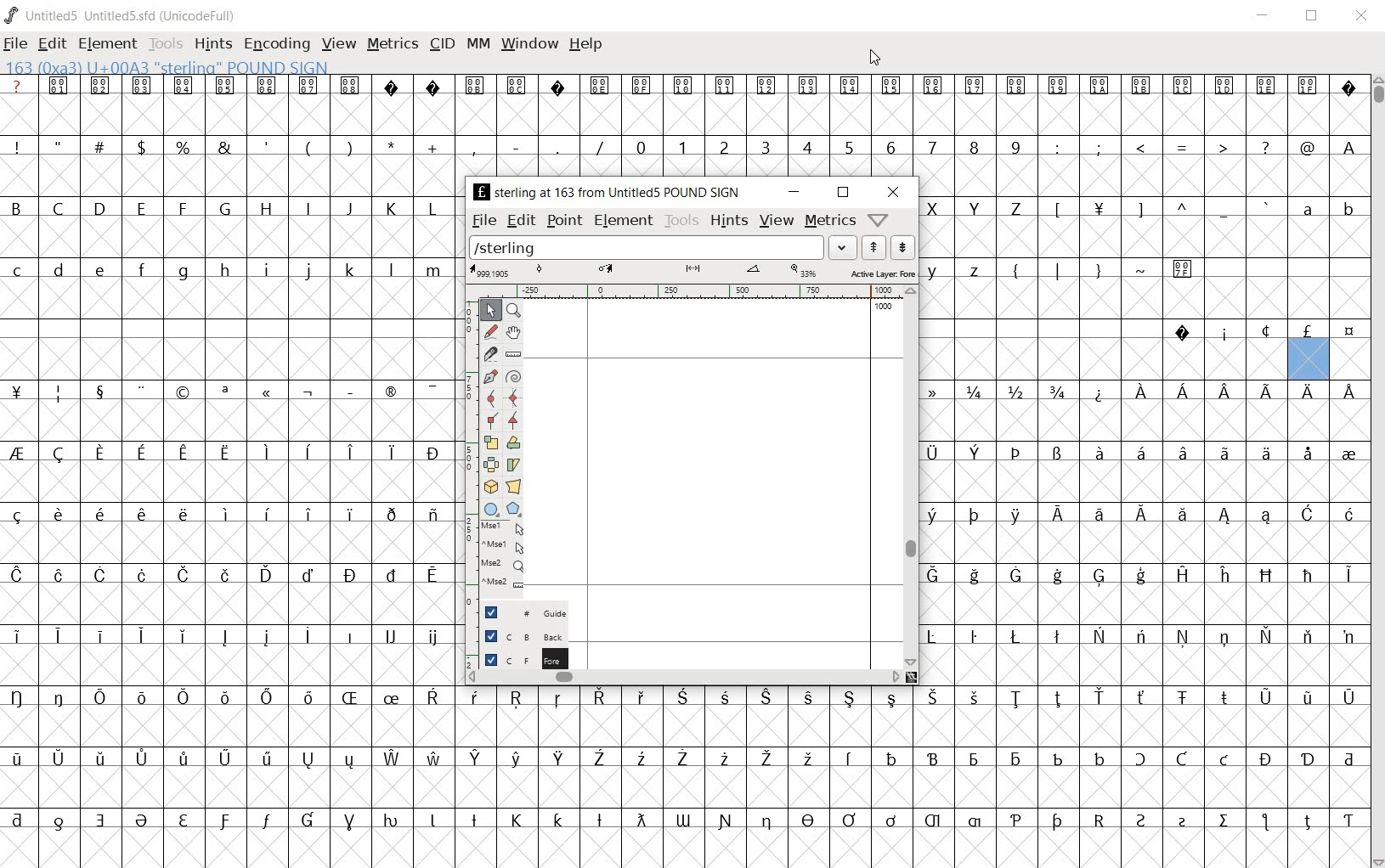 The height and width of the screenshot is (868, 1385). Describe the element at coordinates (268, 85) in the screenshot. I see `Symbol` at that location.